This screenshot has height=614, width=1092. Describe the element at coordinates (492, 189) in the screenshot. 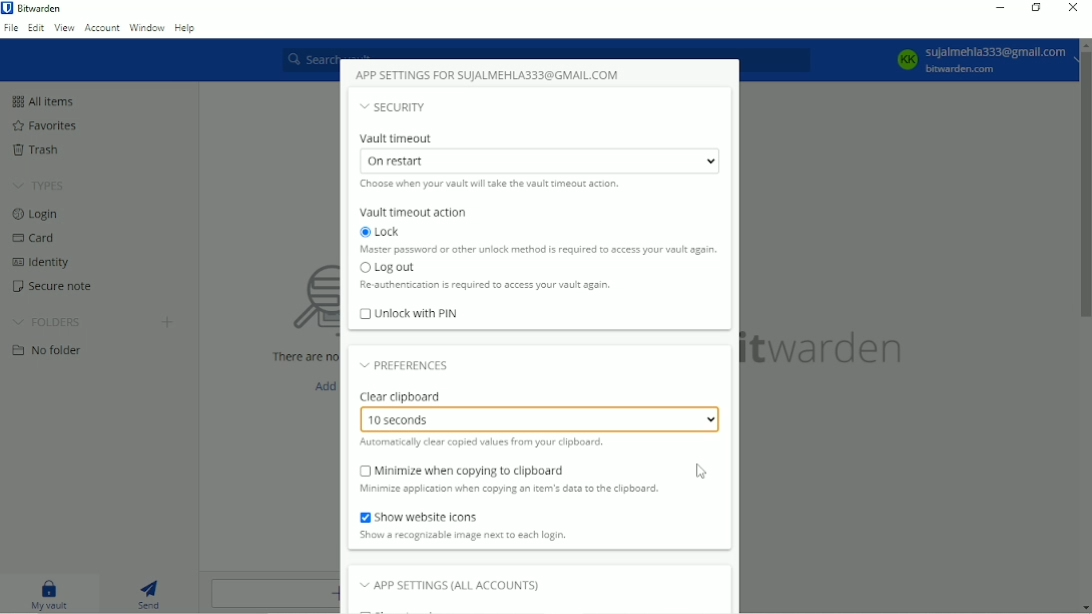

I see `Choose when your vault will take the vault timeout action.` at that location.